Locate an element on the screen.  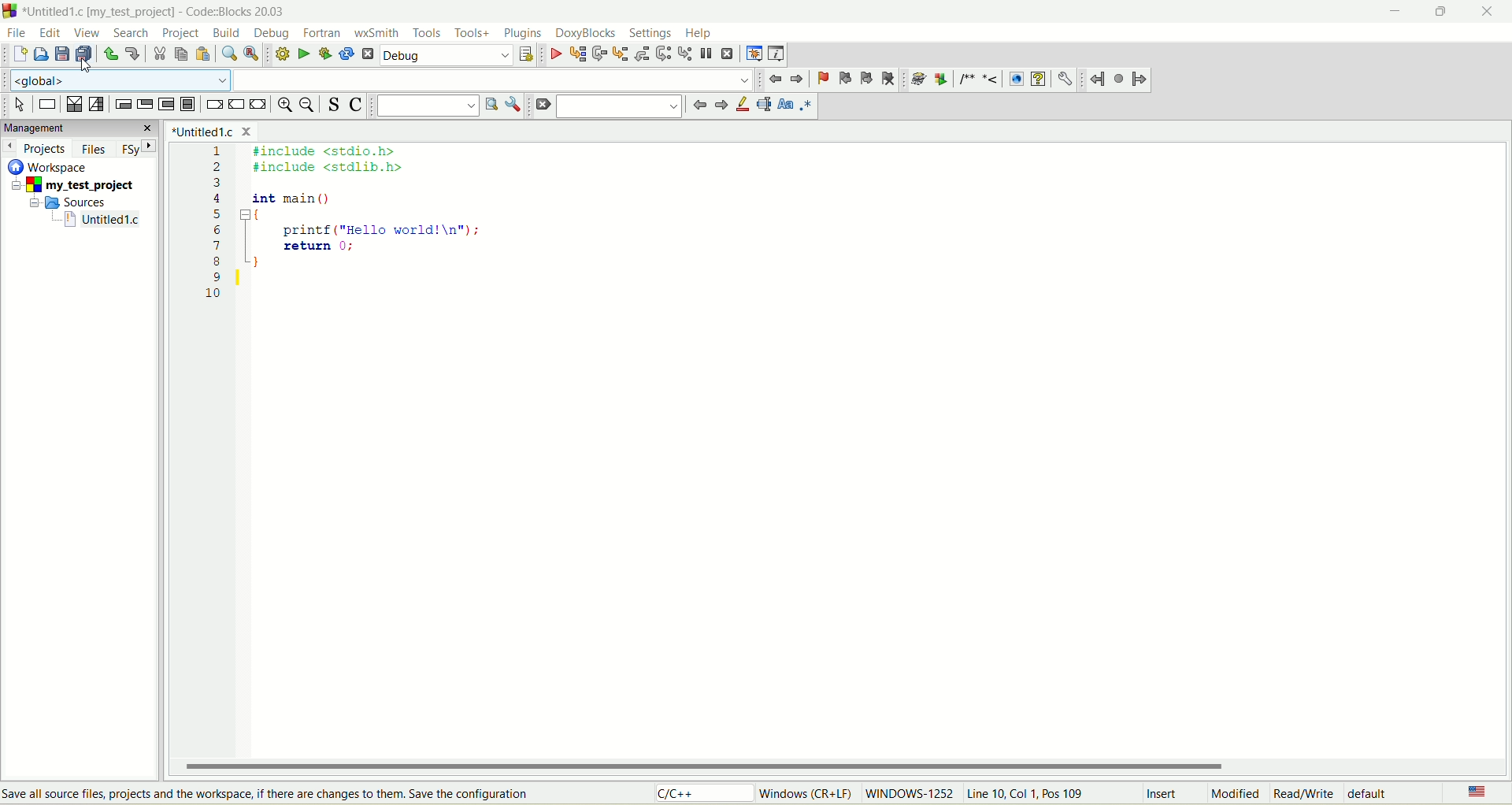
toggle comment is located at coordinates (359, 106).